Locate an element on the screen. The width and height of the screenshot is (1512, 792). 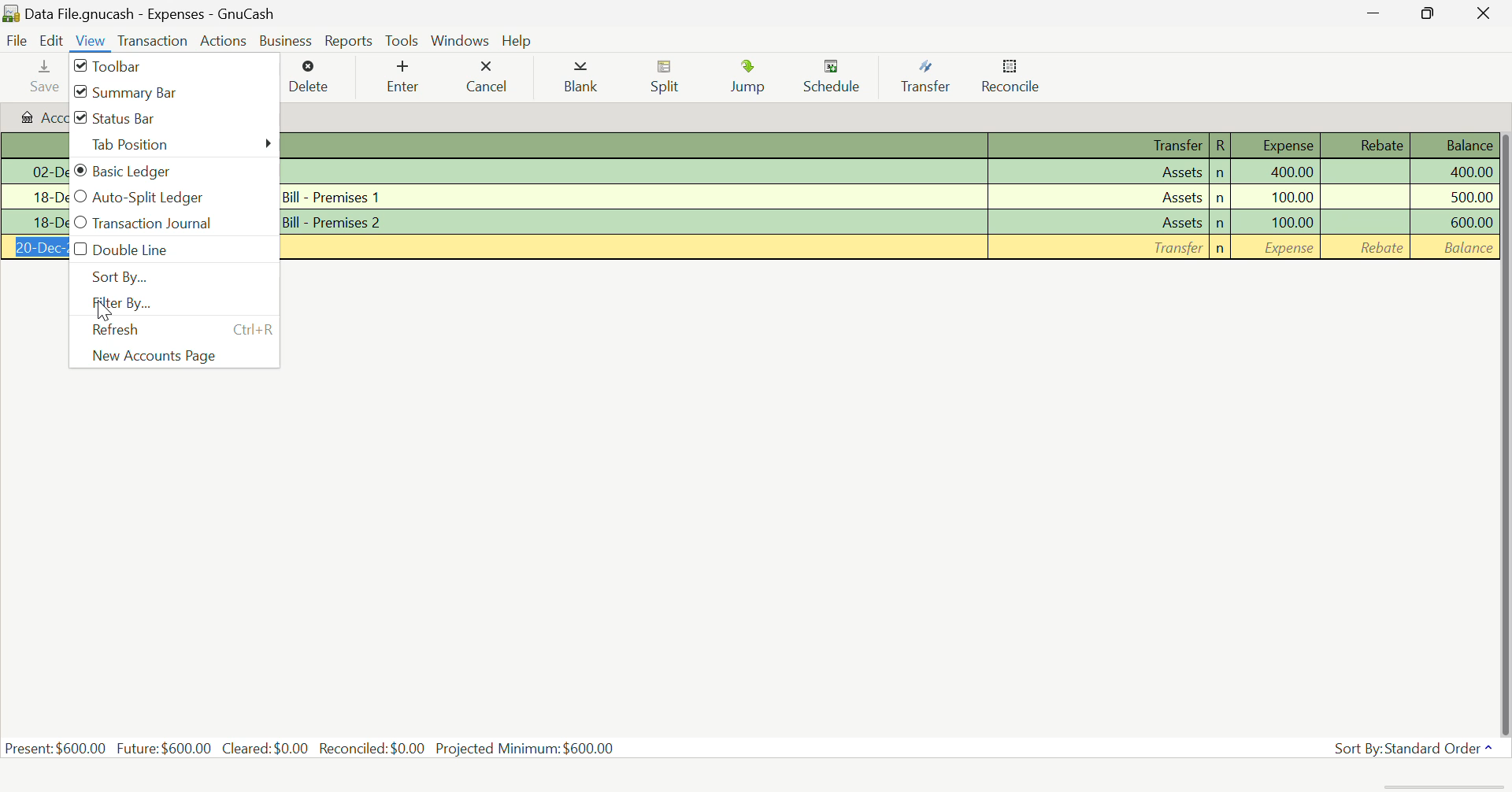
Schedule is located at coordinates (839, 79).